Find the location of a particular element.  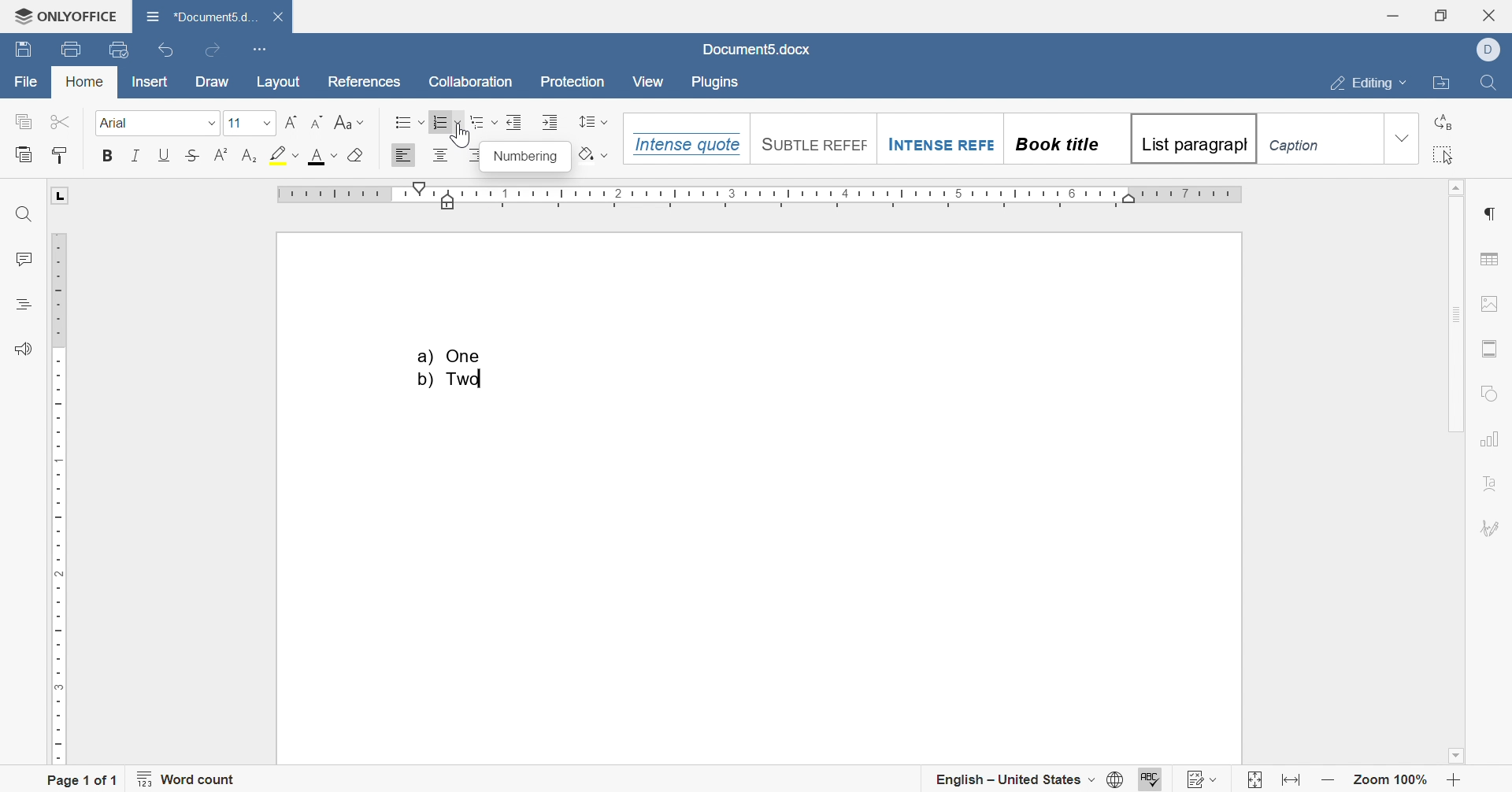

numbering is located at coordinates (447, 123).